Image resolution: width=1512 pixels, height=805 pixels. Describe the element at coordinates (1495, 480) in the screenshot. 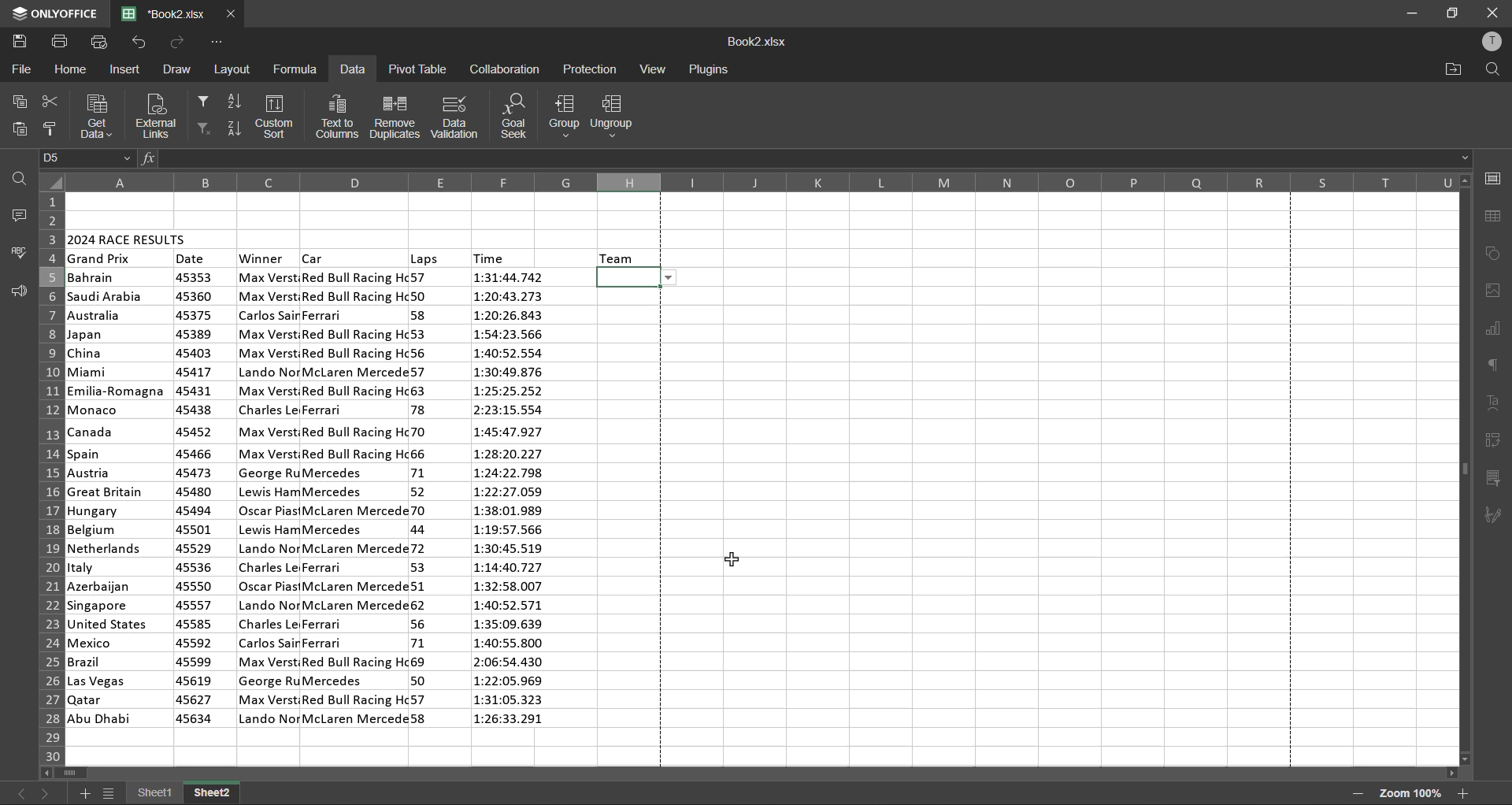

I see `slicer` at that location.